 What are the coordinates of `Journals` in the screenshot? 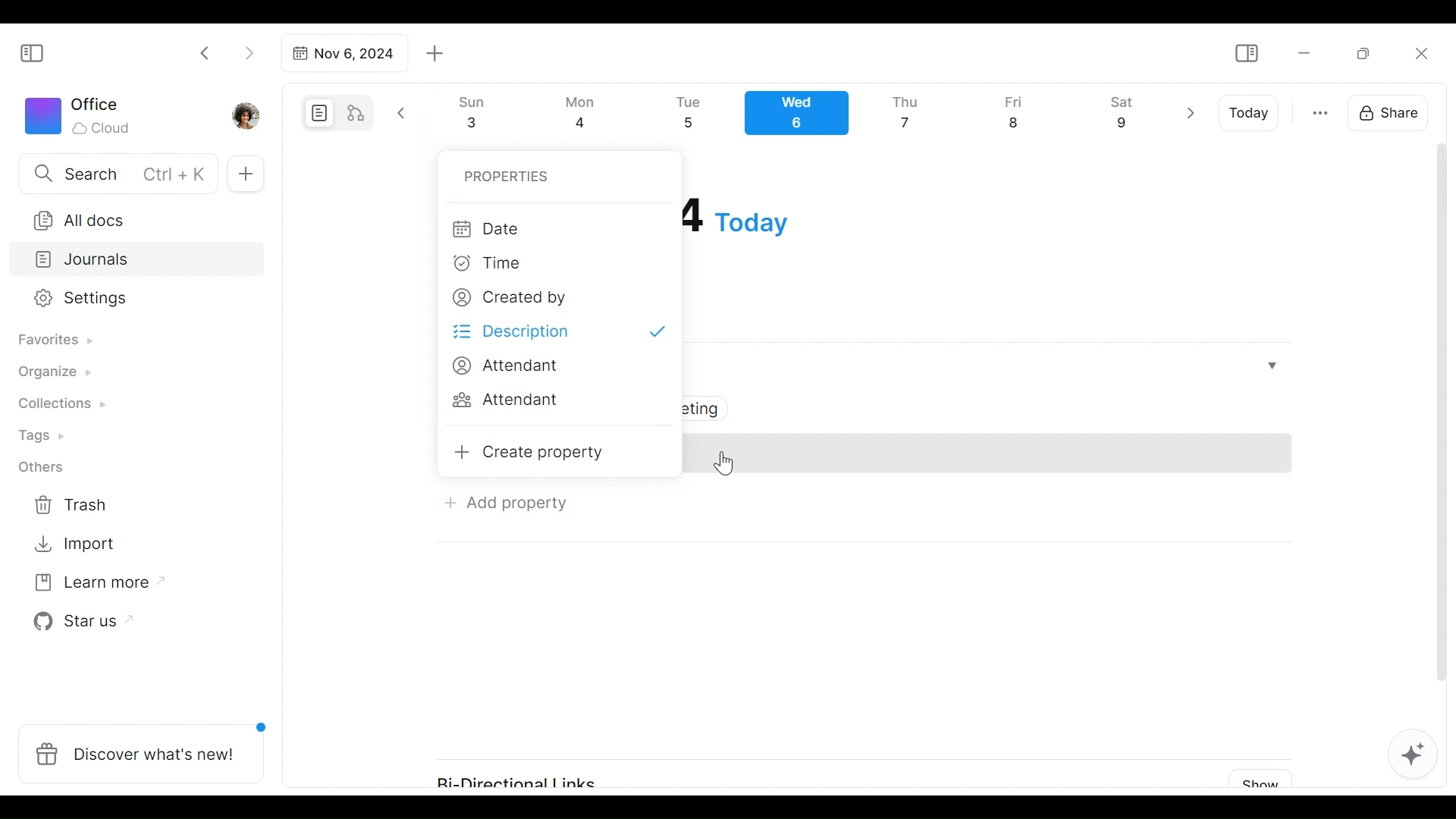 It's located at (138, 261).